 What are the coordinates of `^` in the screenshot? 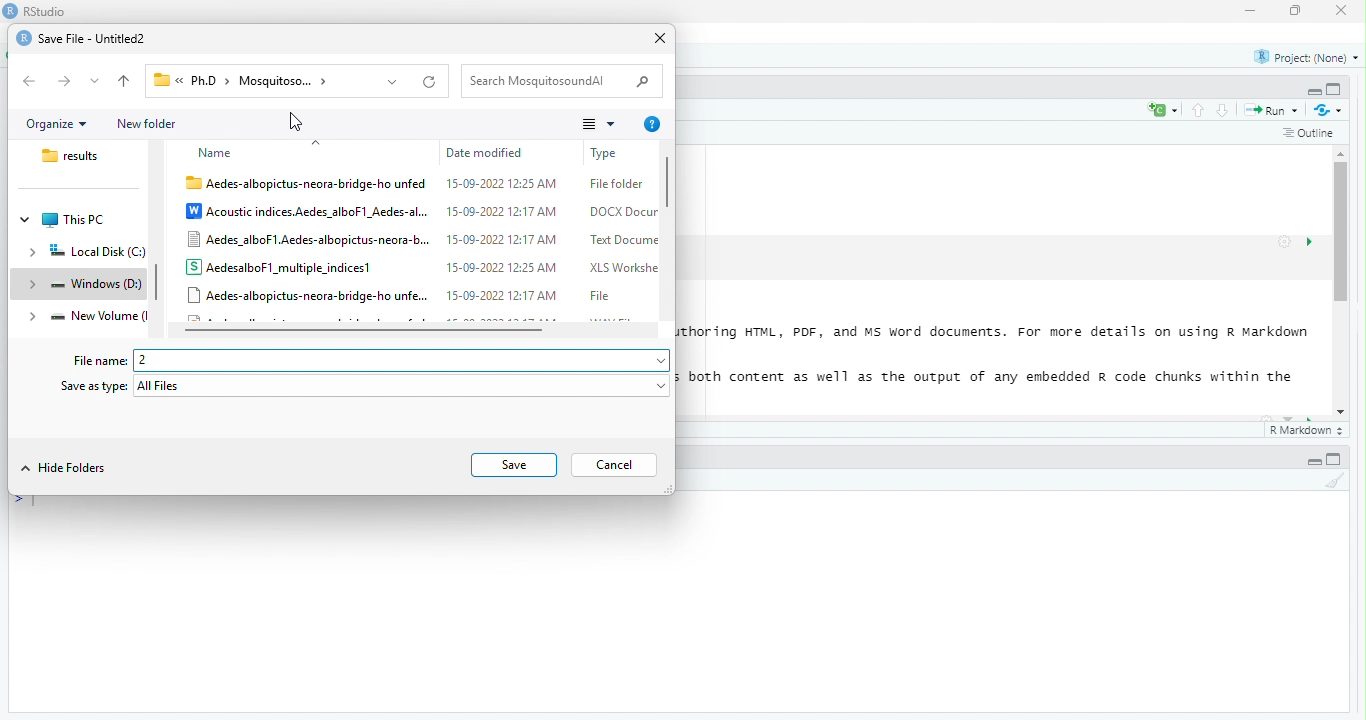 It's located at (317, 142).